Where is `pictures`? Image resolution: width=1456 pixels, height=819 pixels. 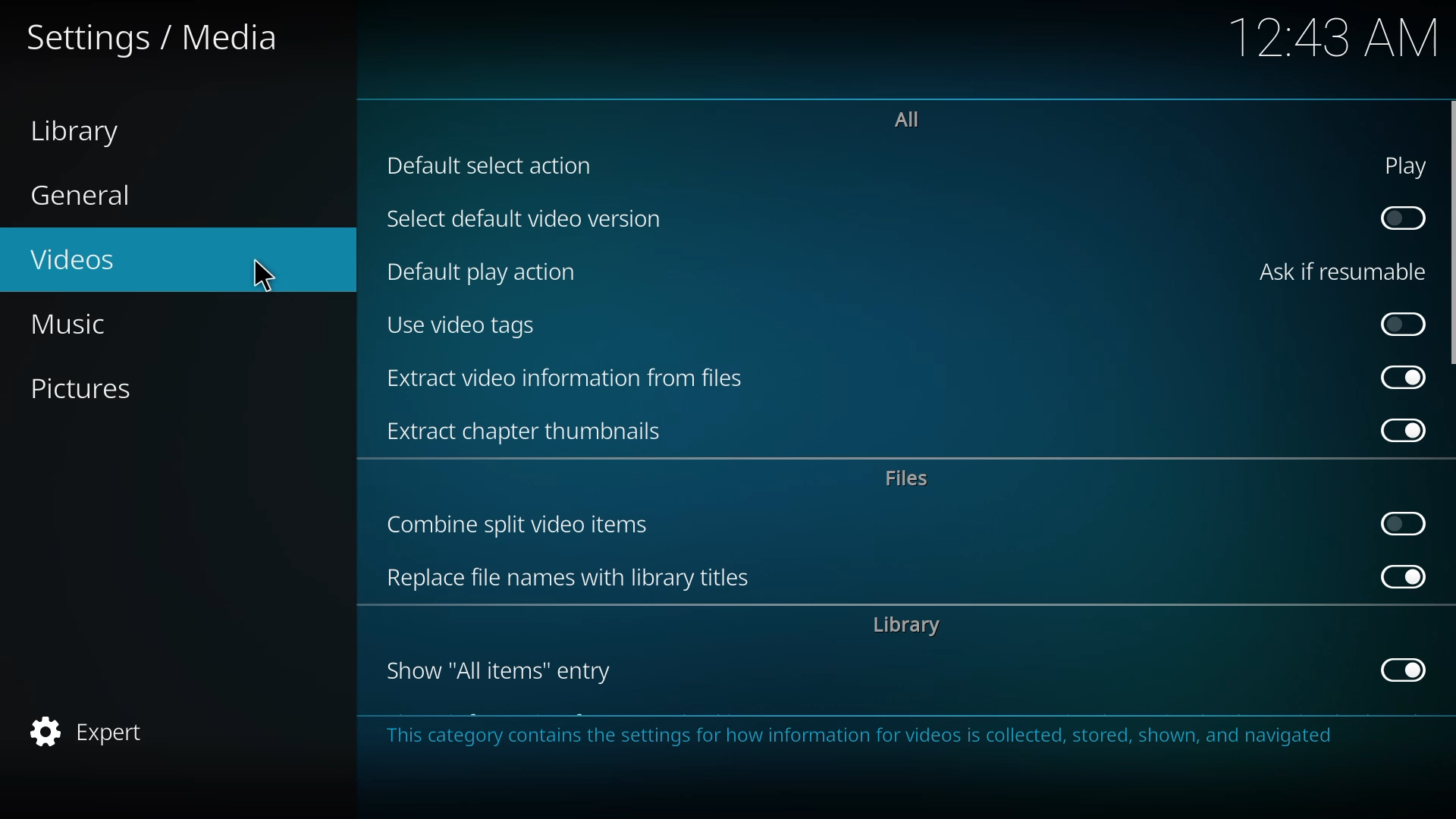
pictures is located at coordinates (97, 388).